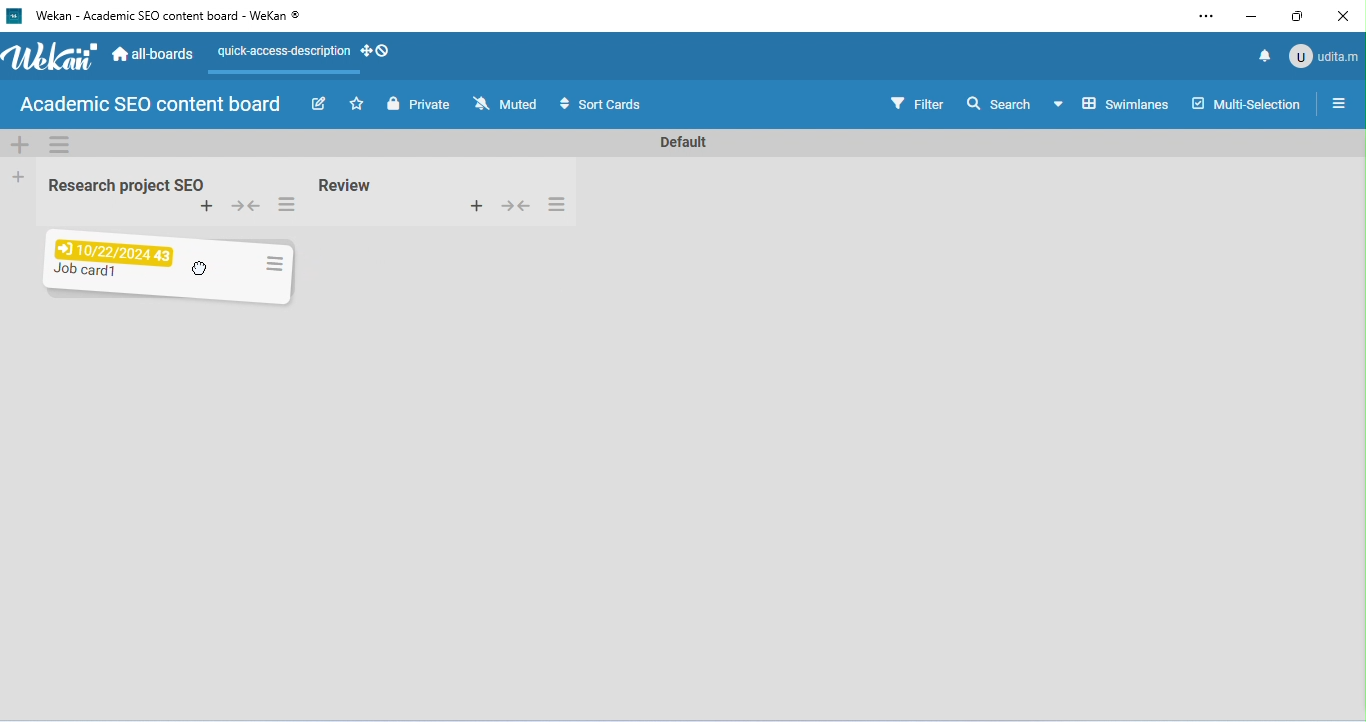  What do you see at coordinates (165, 15) in the screenshot?
I see `current window: Wekan - Academic SEO content board - WeKan` at bounding box center [165, 15].